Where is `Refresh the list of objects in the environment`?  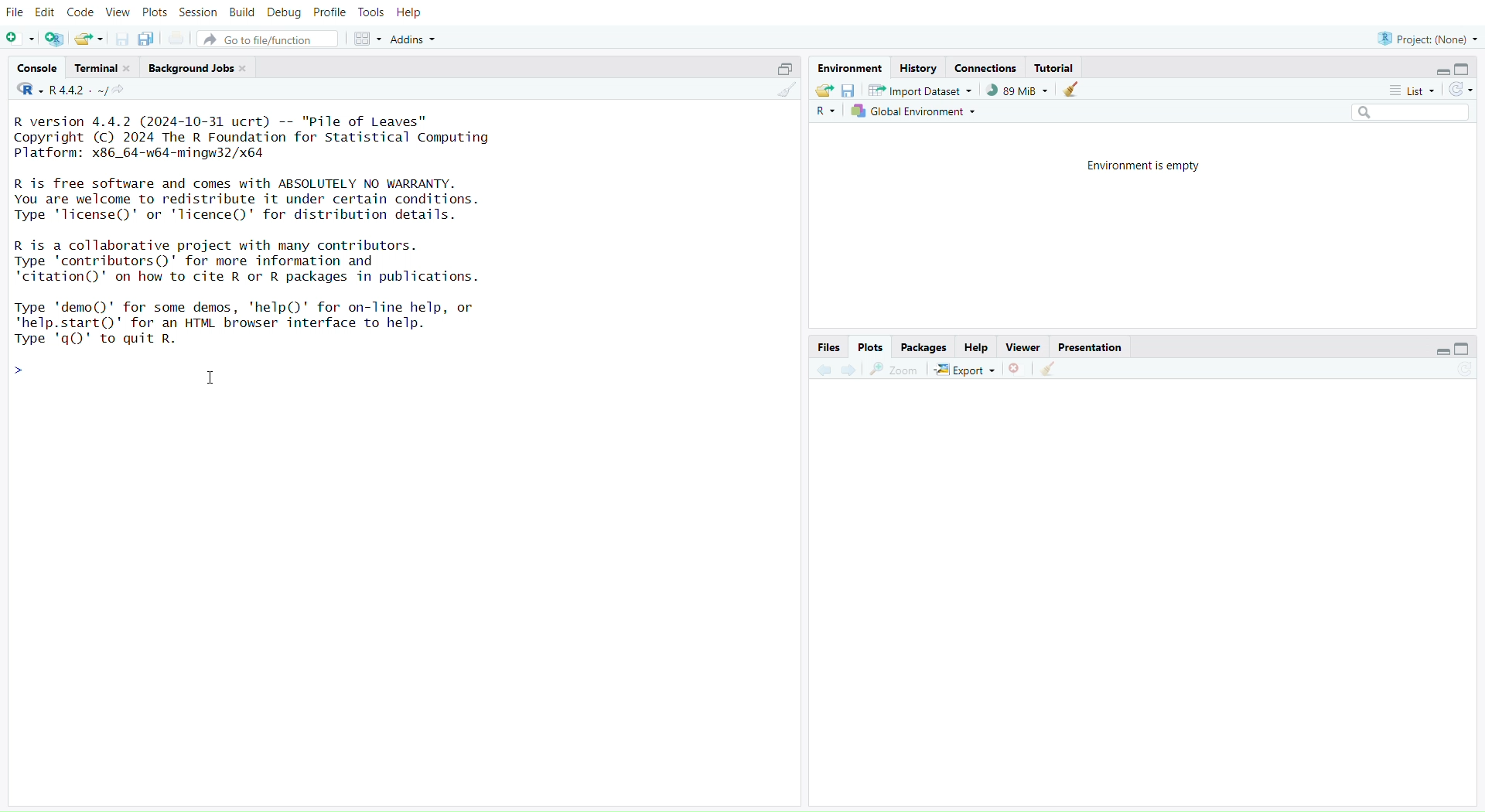
Refresh the list of objects in the environment is located at coordinates (1462, 89).